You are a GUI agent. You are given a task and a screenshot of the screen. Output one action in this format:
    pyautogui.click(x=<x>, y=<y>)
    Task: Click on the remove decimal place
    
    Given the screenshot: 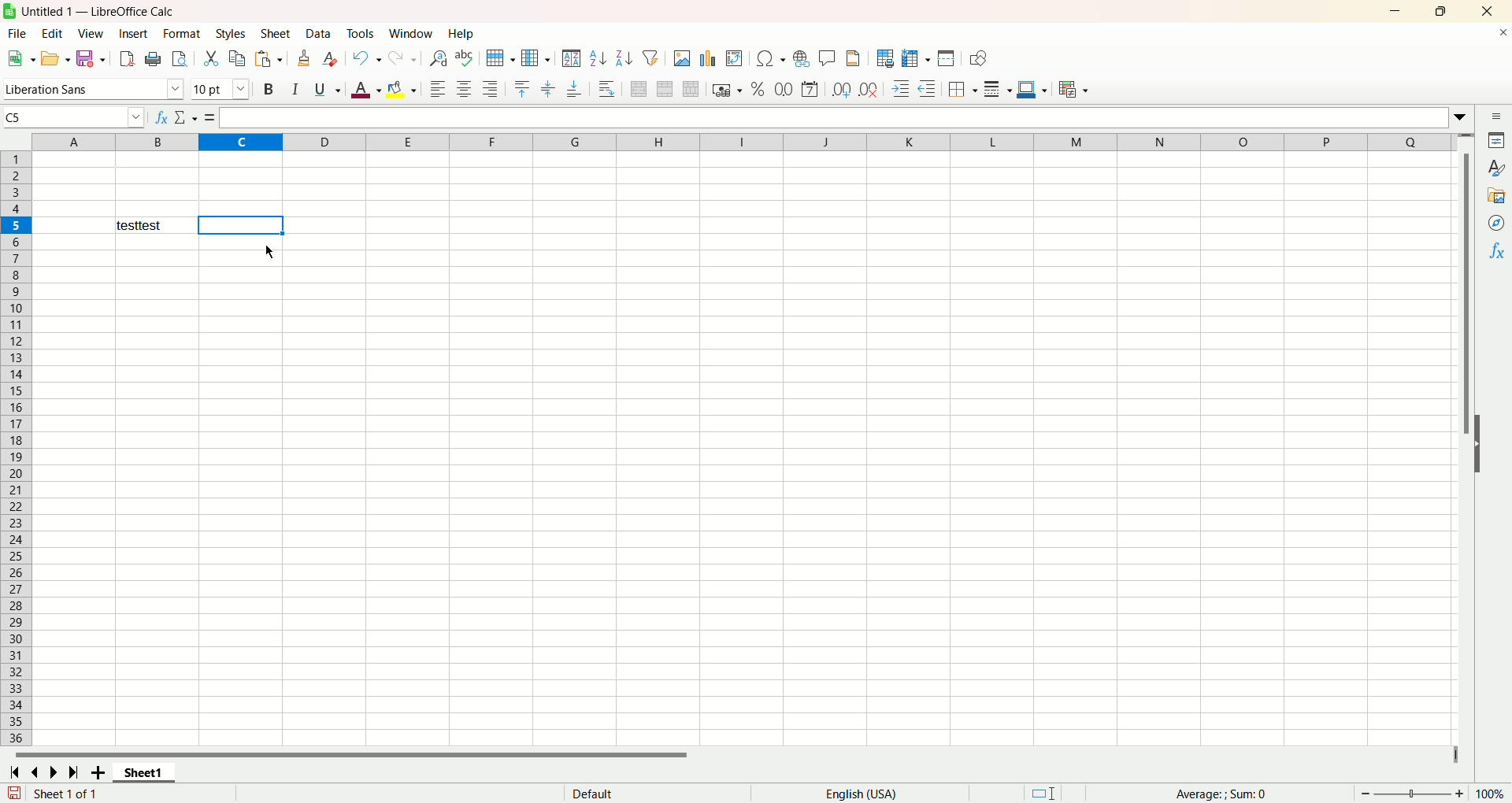 What is the action you would take?
    pyautogui.click(x=869, y=90)
    